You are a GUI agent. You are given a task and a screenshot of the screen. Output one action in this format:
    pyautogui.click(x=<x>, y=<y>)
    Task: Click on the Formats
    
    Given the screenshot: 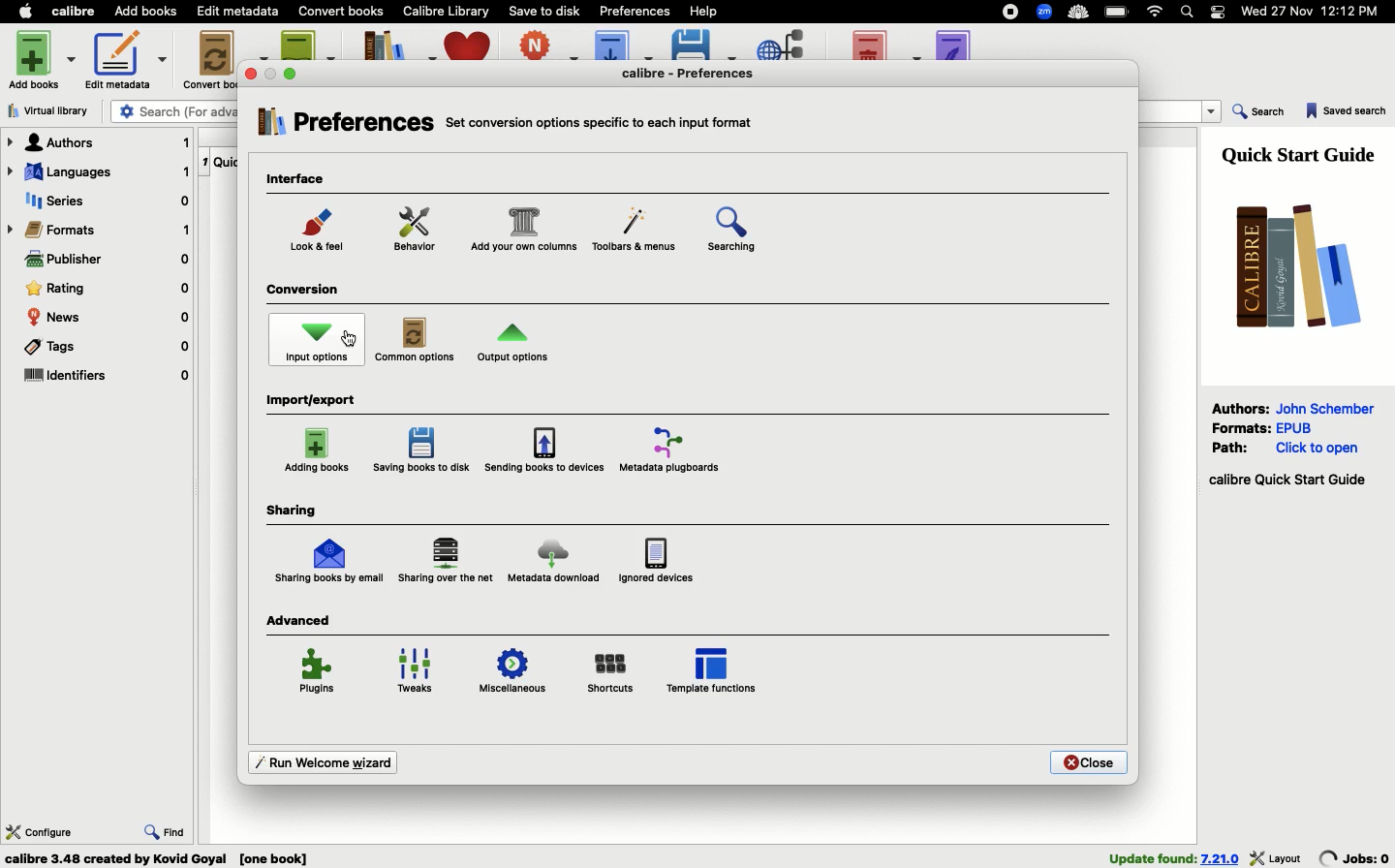 What is the action you would take?
    pyautogui.click(x=100, y=230)
    